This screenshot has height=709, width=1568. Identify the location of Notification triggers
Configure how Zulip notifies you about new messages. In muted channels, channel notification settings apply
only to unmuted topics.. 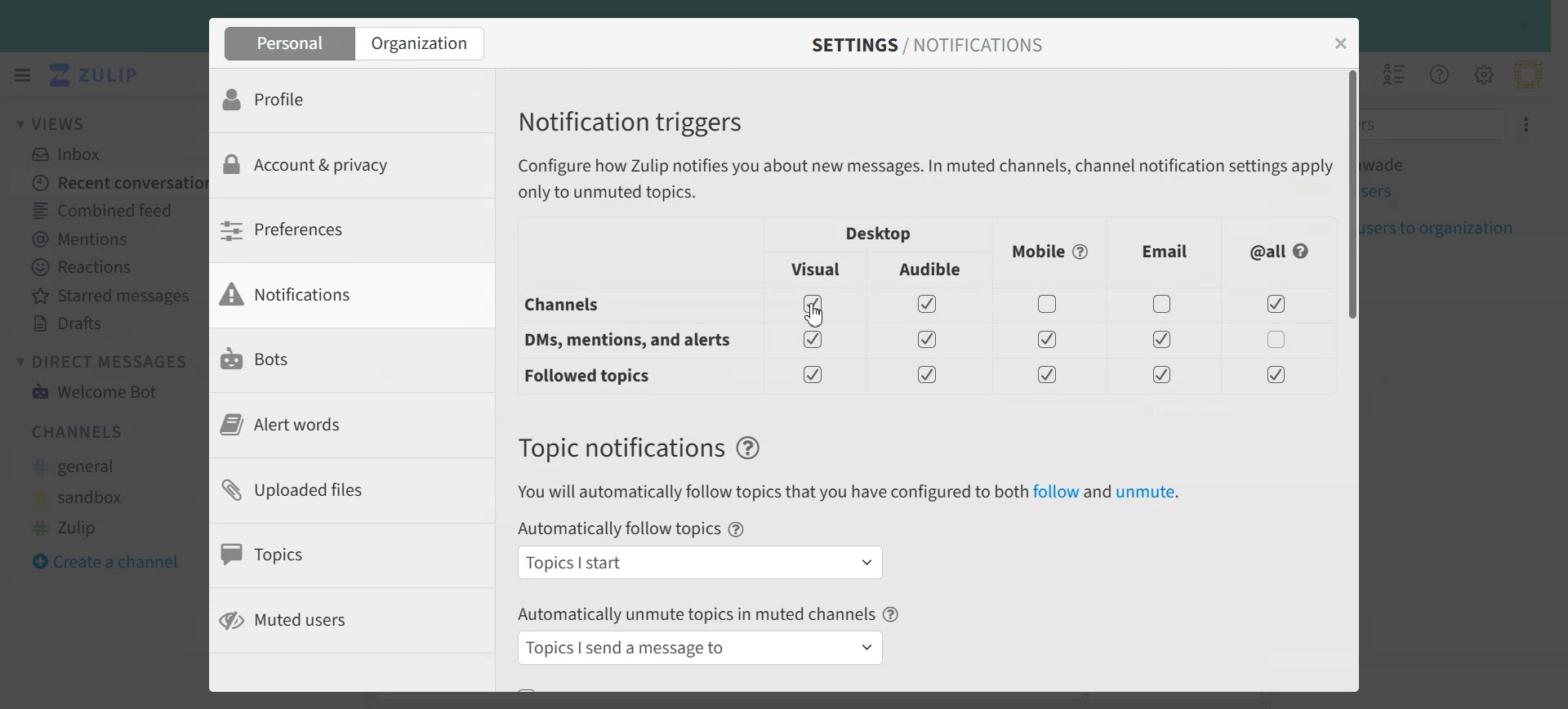
(920, 155).